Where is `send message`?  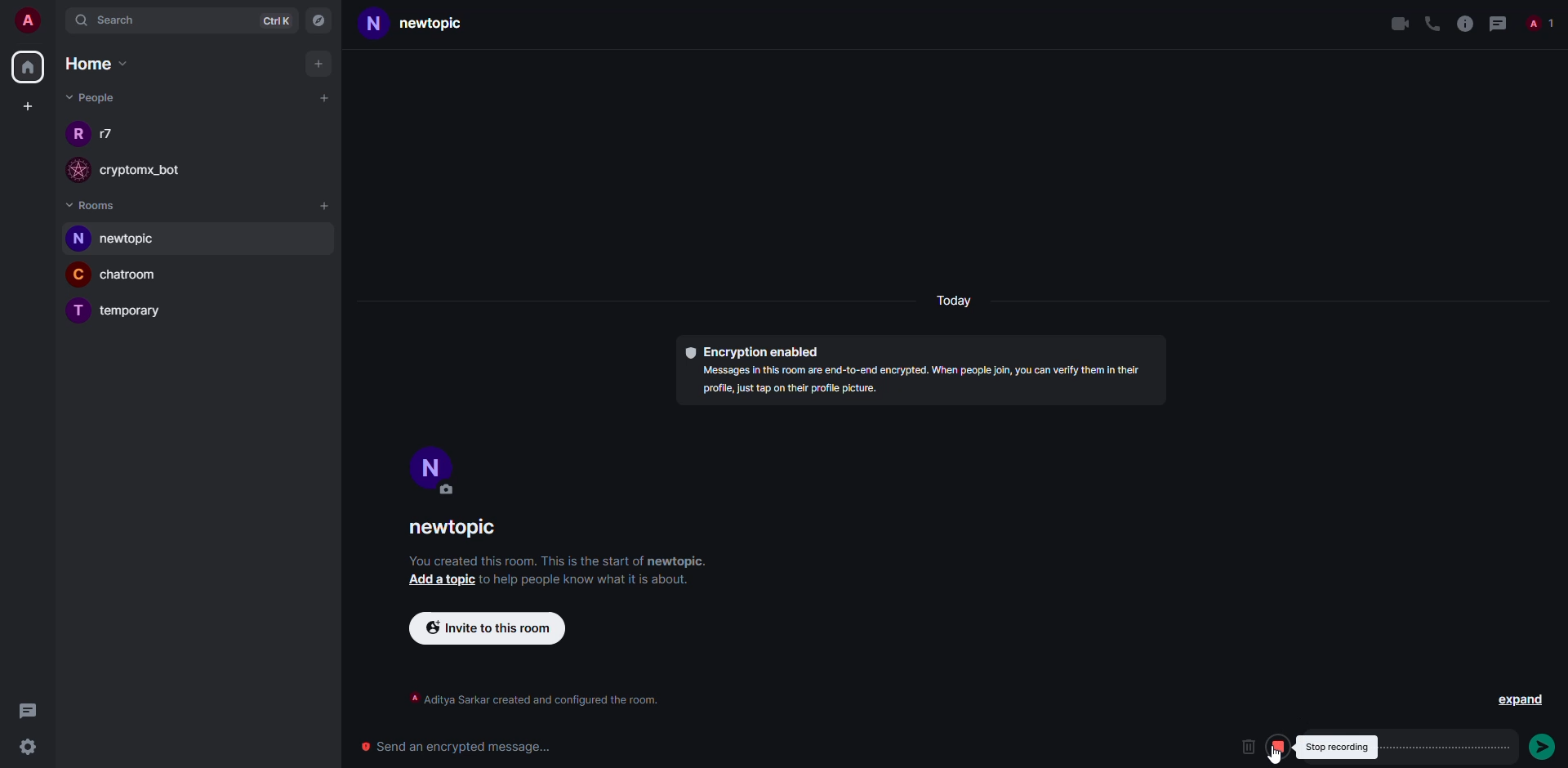 send message is located at coordinates (1543, 746).